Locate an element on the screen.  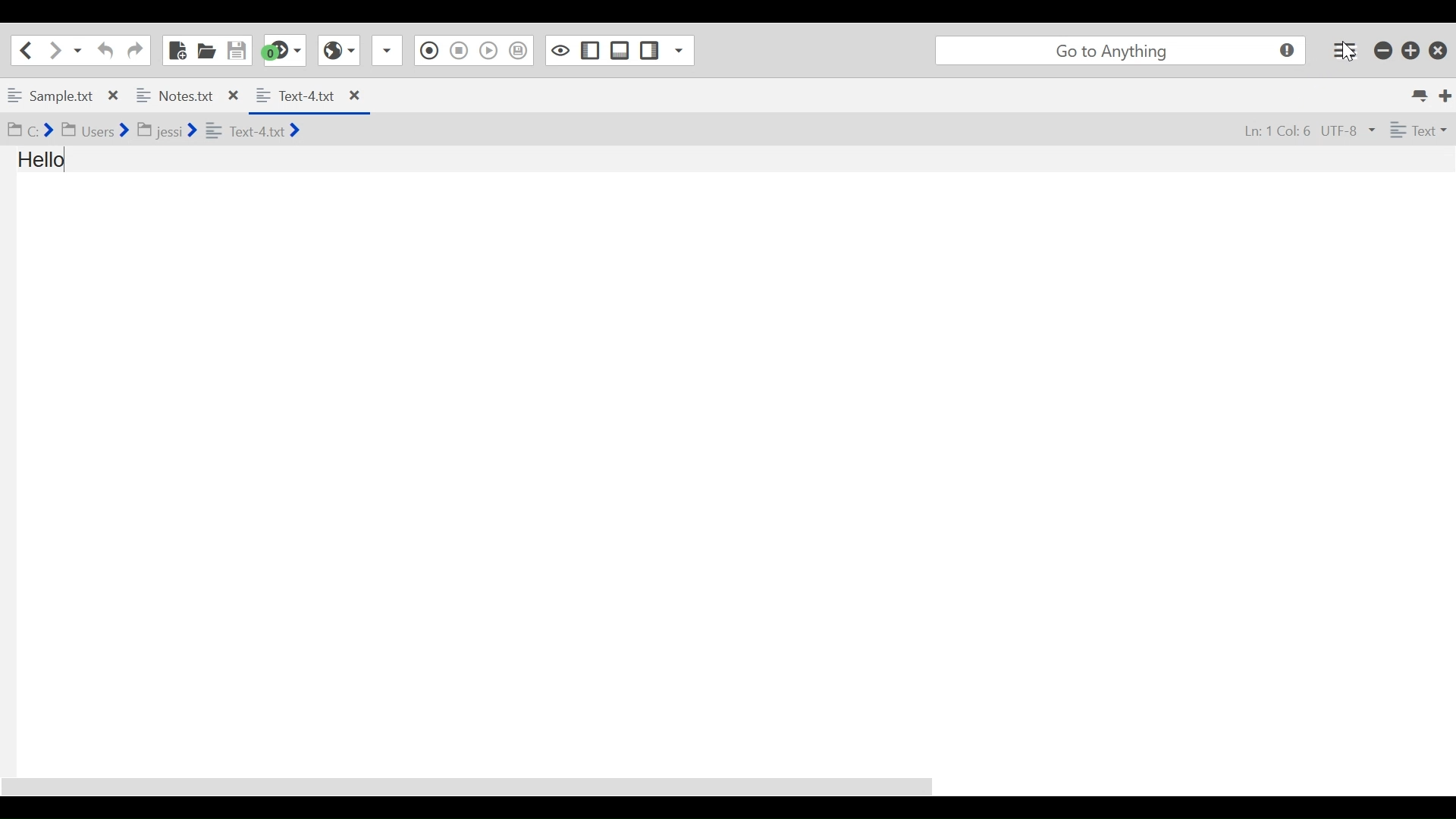
Show/Hide Left Pane is located at coordinates (590, 51).